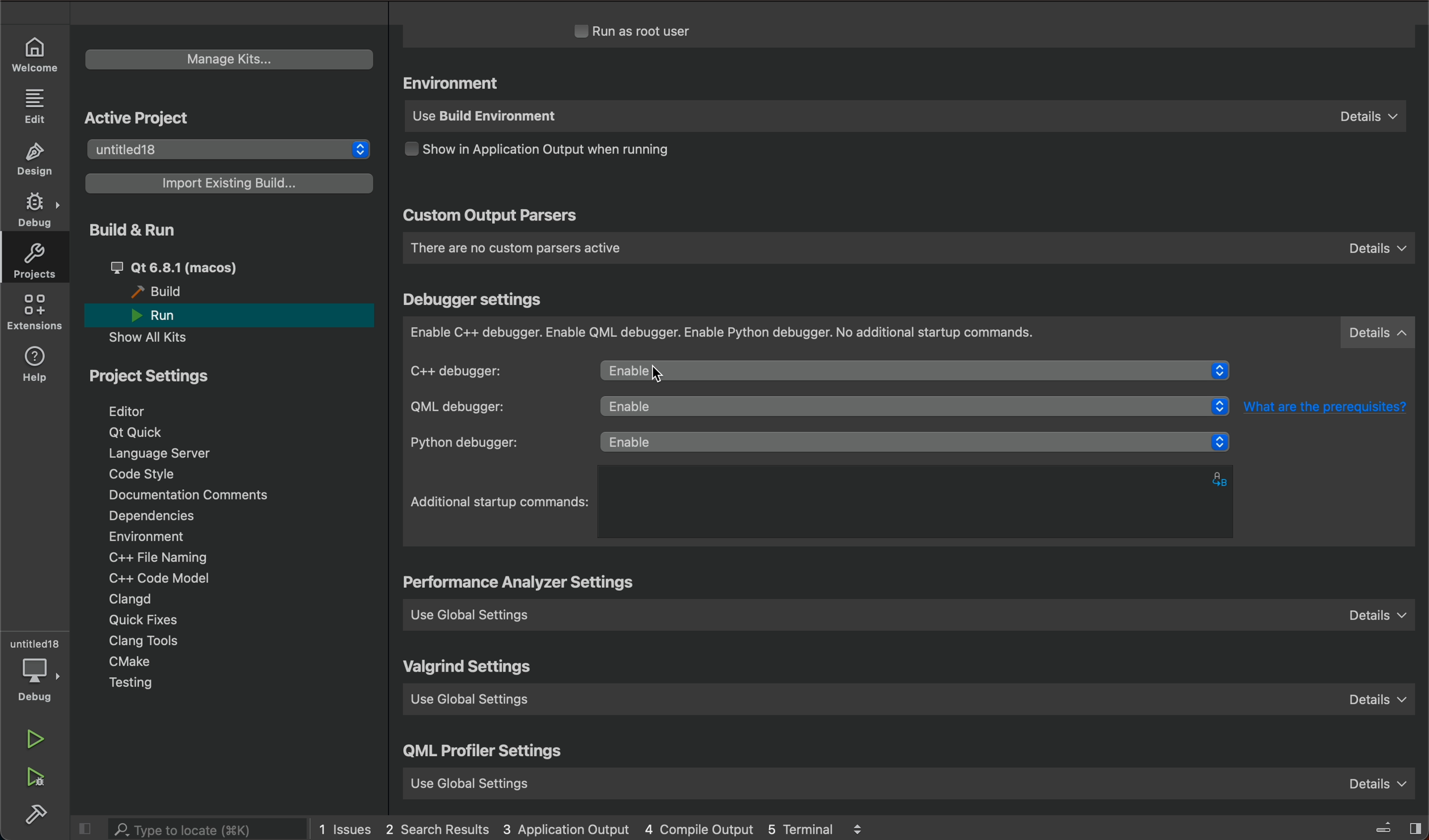 This screenshot has height=840, width=1429. What do you see at coordinates (37, 105) in the screenshot?
I see `EDIT` at bounding box center [37, 105].